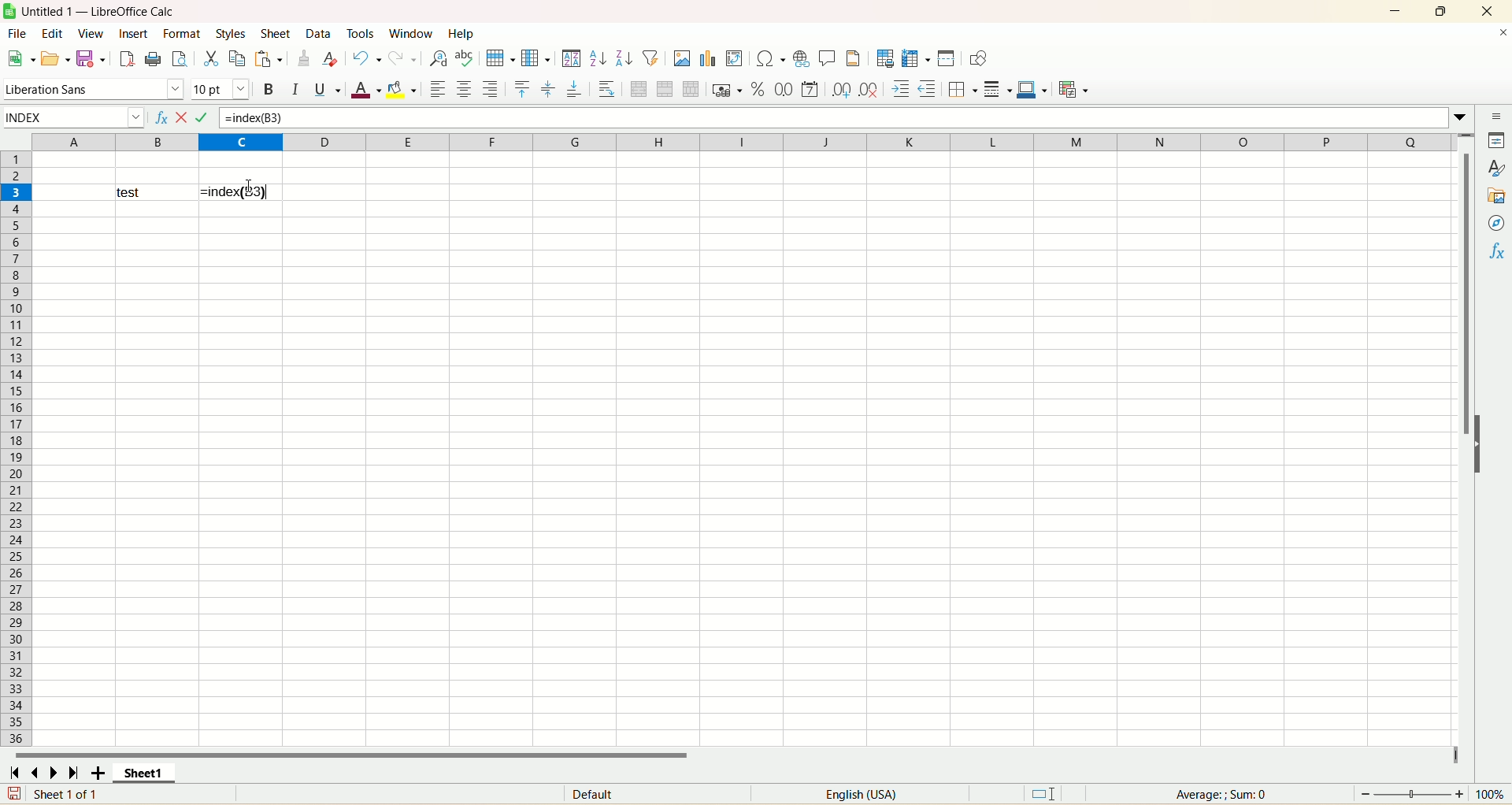  What do you see at coordinates (639, 89) in the screenshot?
I see `merge and center` at bounding box center [639, 89].